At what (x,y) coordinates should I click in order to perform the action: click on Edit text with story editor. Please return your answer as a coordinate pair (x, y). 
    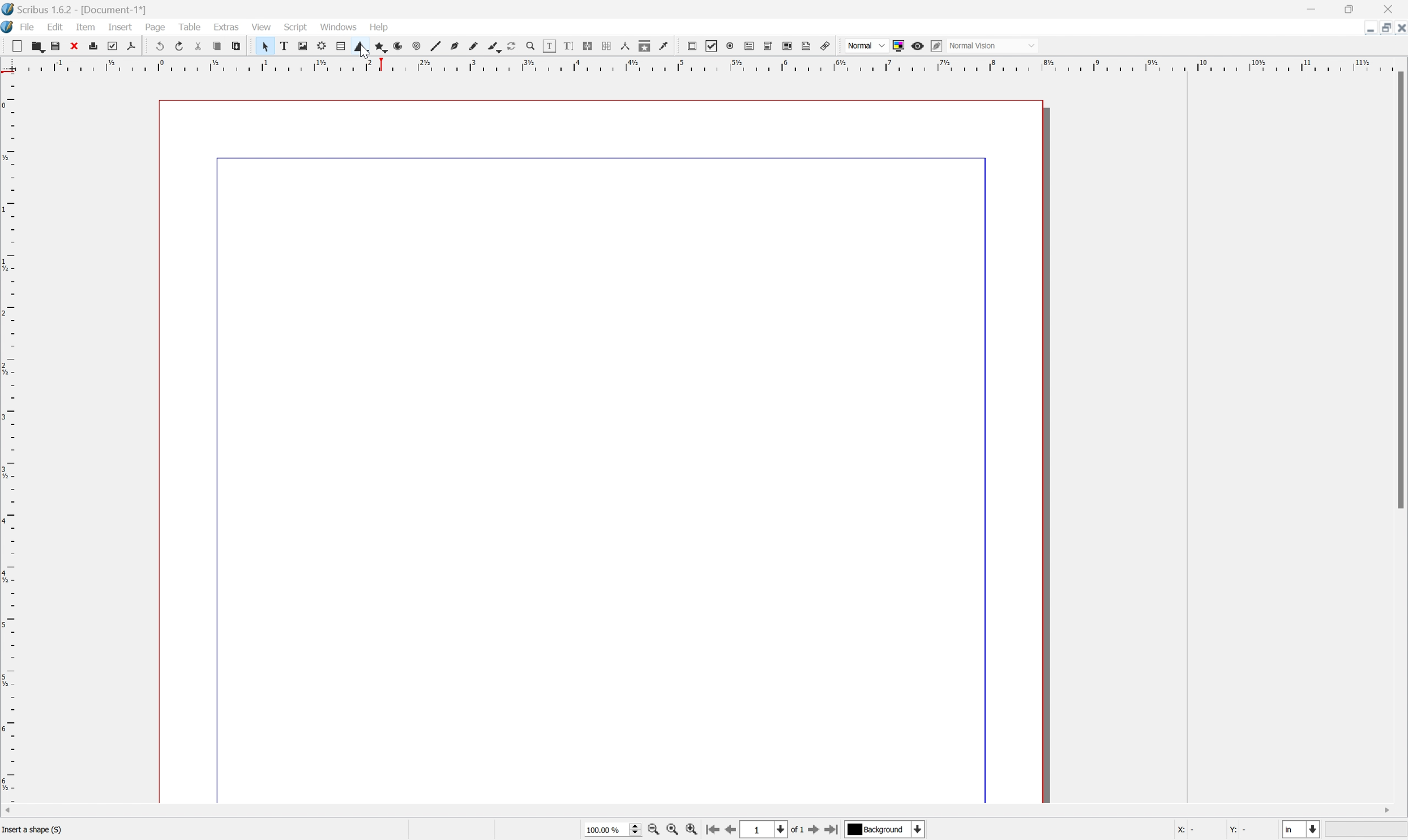
    Looking at the image, I should click on (564, 47).